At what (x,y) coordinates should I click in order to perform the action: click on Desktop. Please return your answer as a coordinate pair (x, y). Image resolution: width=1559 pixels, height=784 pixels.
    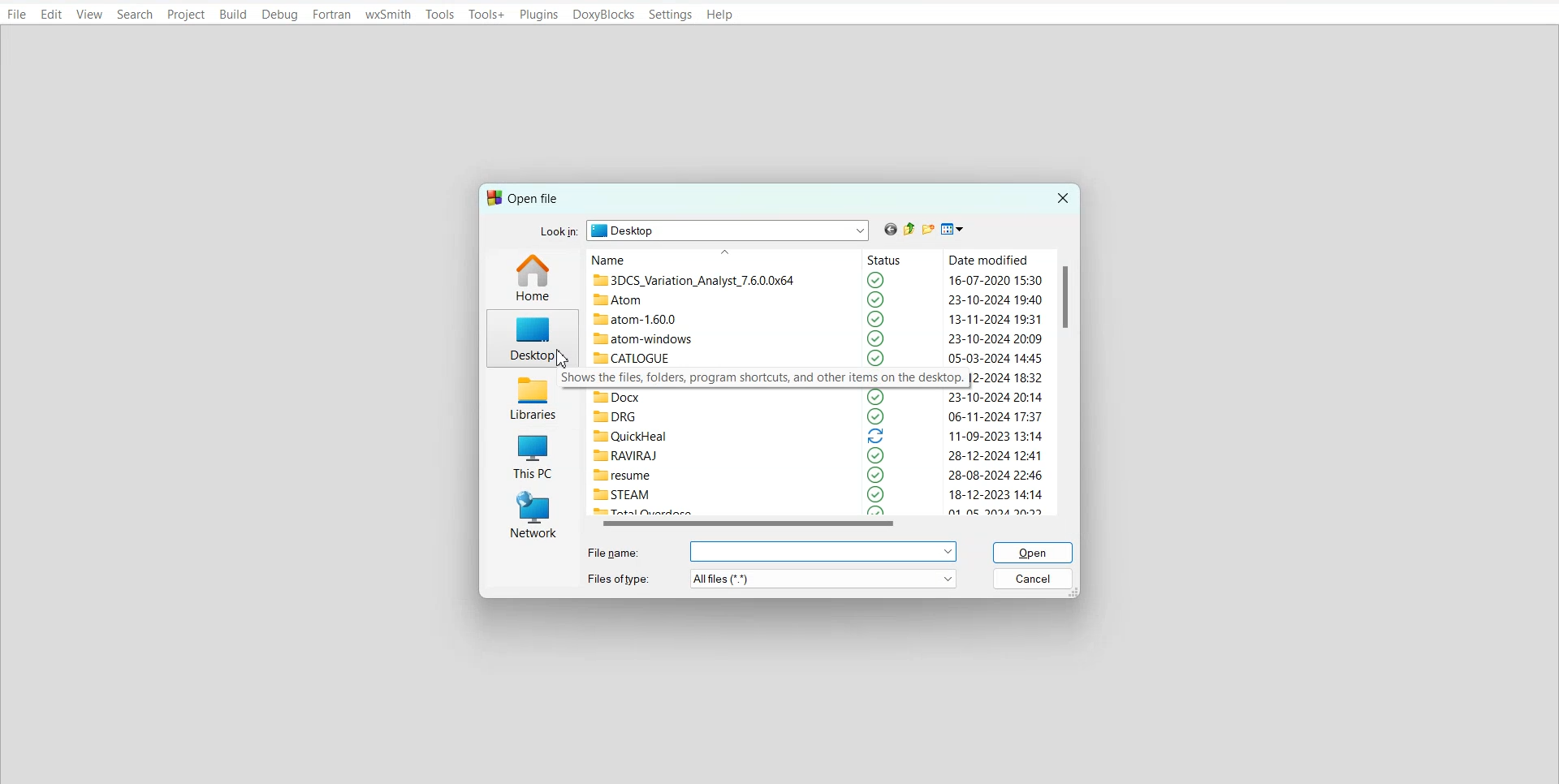
    Looking at the image, I should click on (535, 337).